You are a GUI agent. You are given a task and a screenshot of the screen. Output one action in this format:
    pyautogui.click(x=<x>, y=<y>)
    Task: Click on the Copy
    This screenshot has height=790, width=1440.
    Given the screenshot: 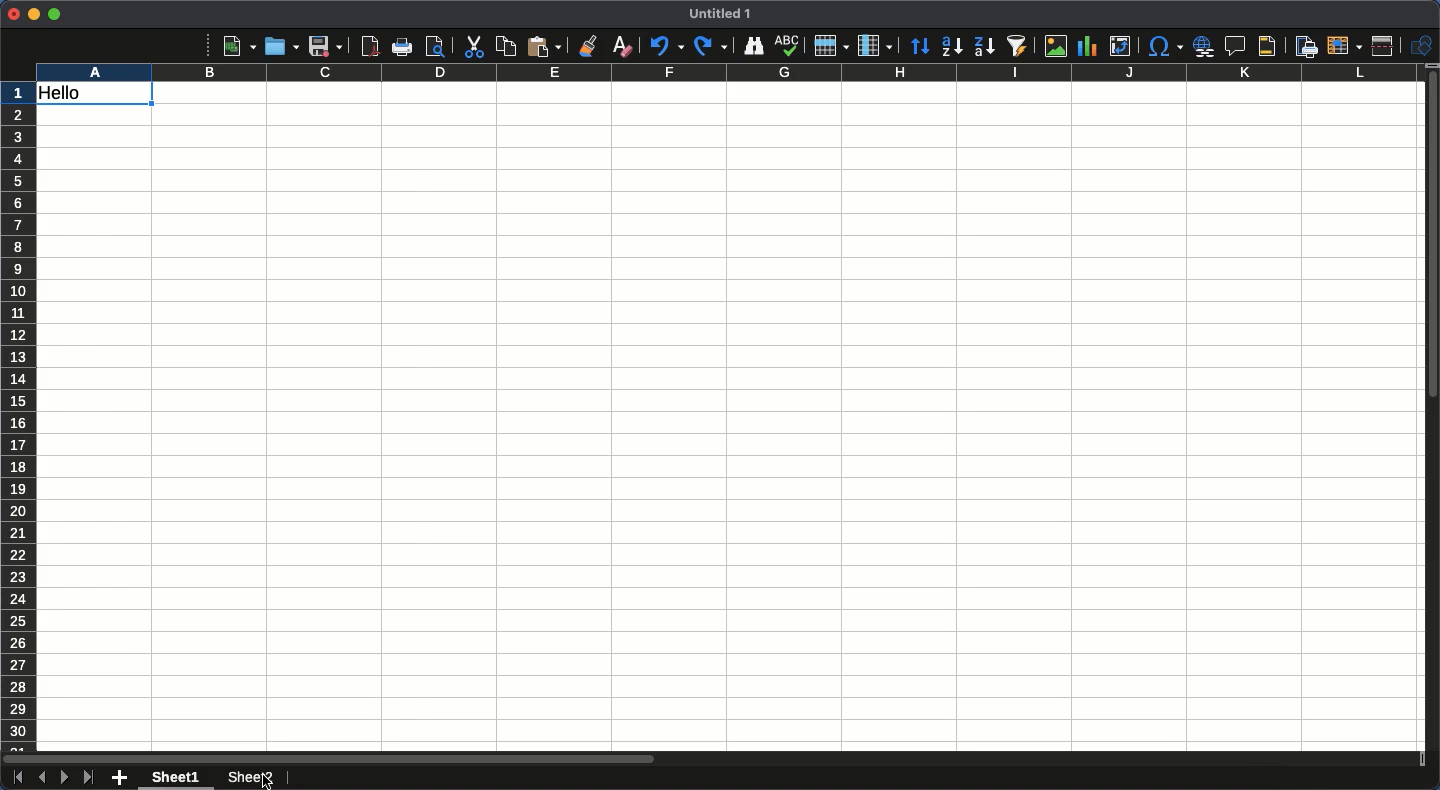 What is the action you would take?
    pyautogui.click(x=506, y=46)
    